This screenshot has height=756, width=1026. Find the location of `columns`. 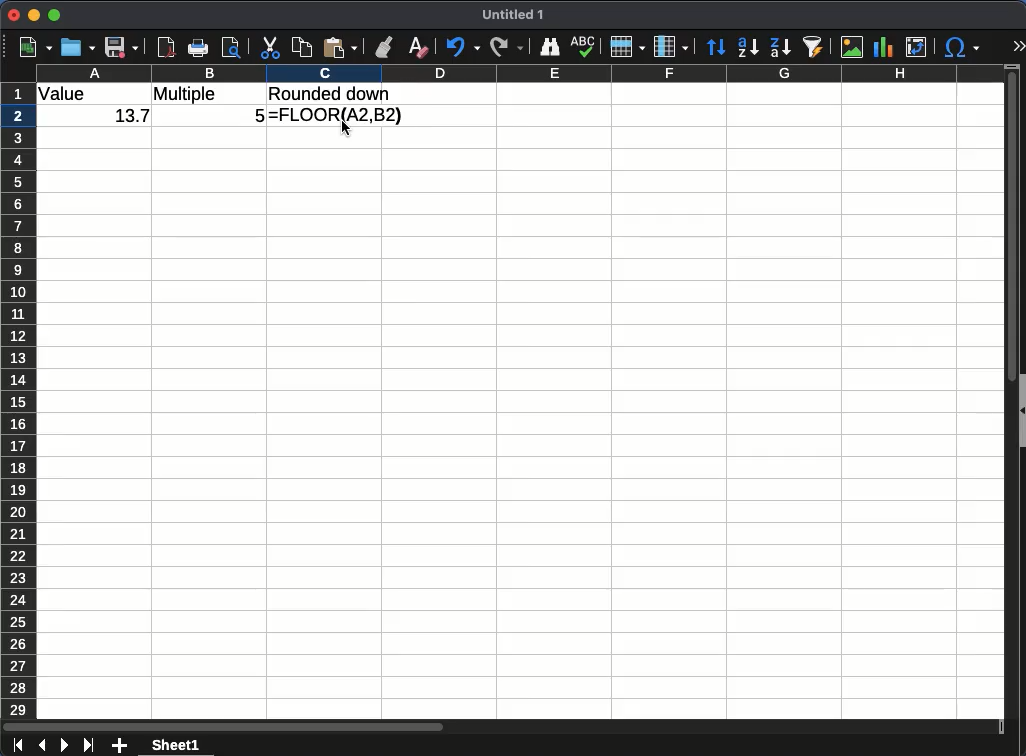

columns is located at coordinates (671, 47).